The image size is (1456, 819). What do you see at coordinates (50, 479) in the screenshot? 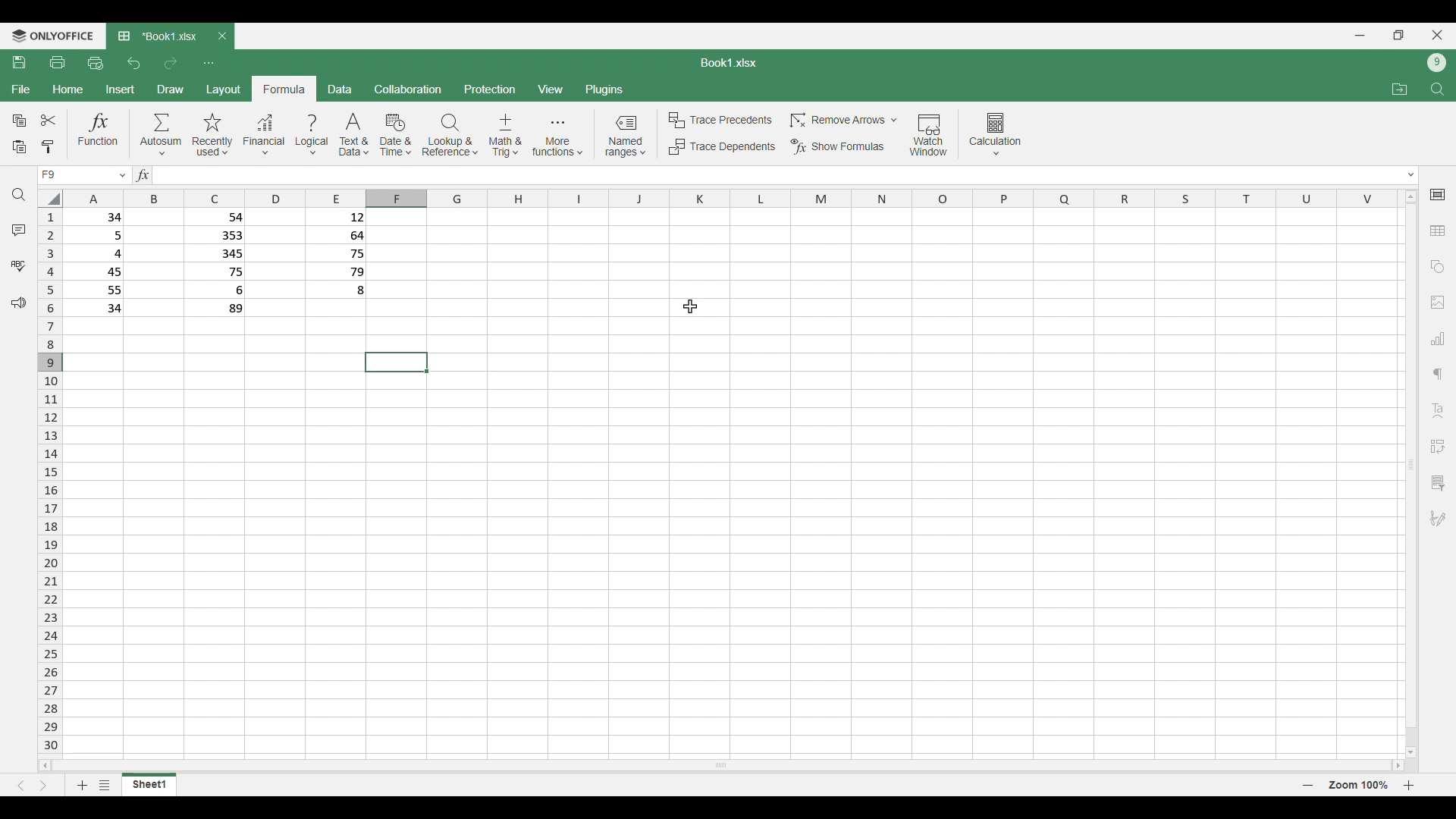
I see `Indicates rows` at bounding box center [50, 479].